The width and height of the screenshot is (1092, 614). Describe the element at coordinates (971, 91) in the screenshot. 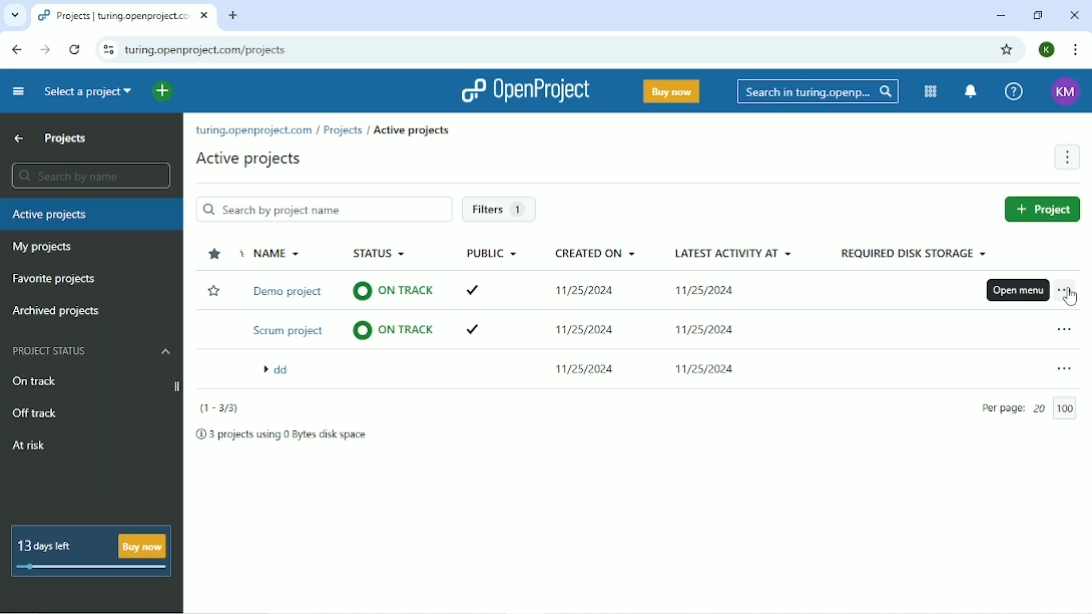

I see `To notification center` at that location.